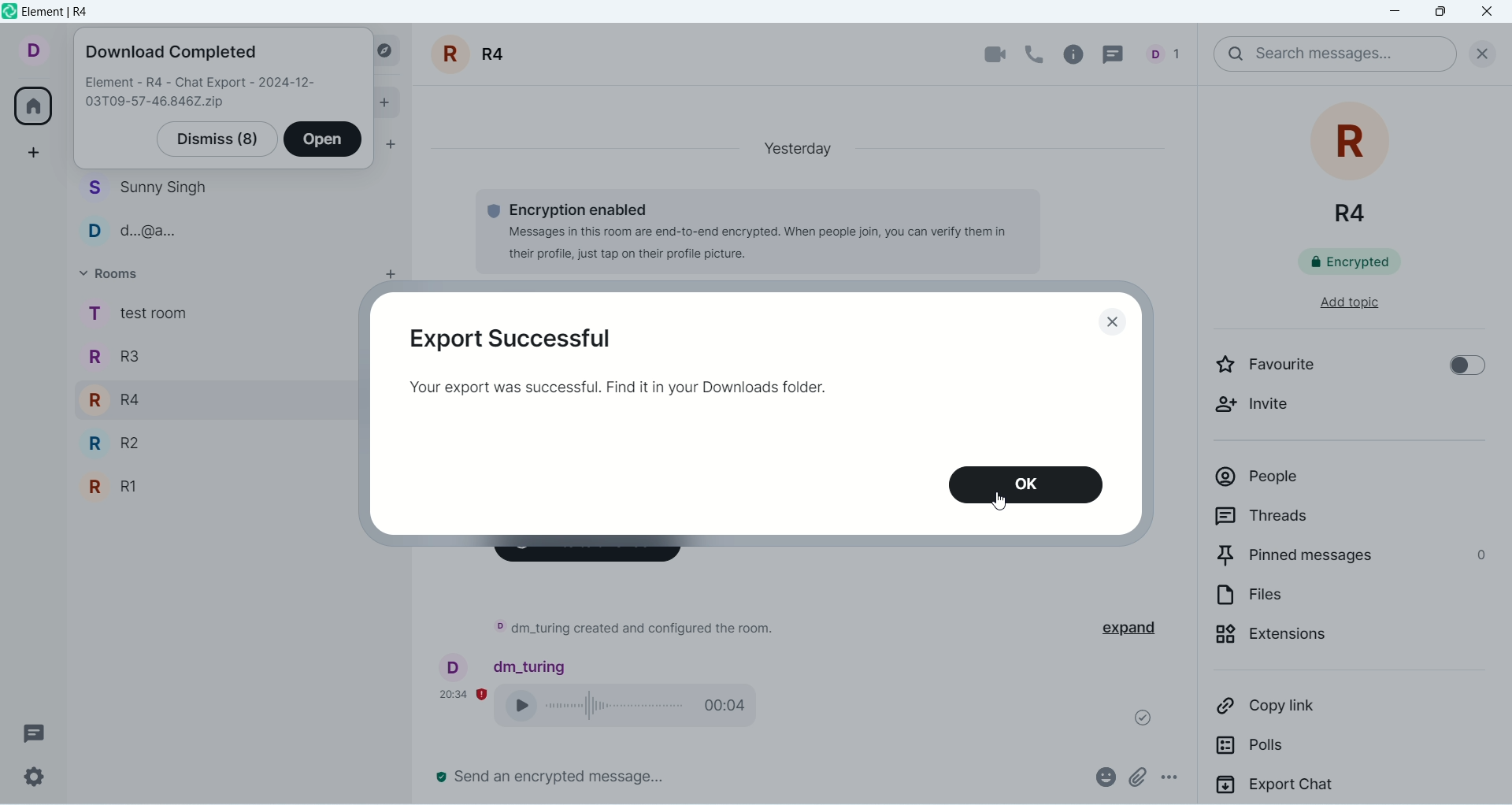  What do you see at coordinates (1333, 483) in the screenshot?
I see `people` at bounding box center [1333, 483].